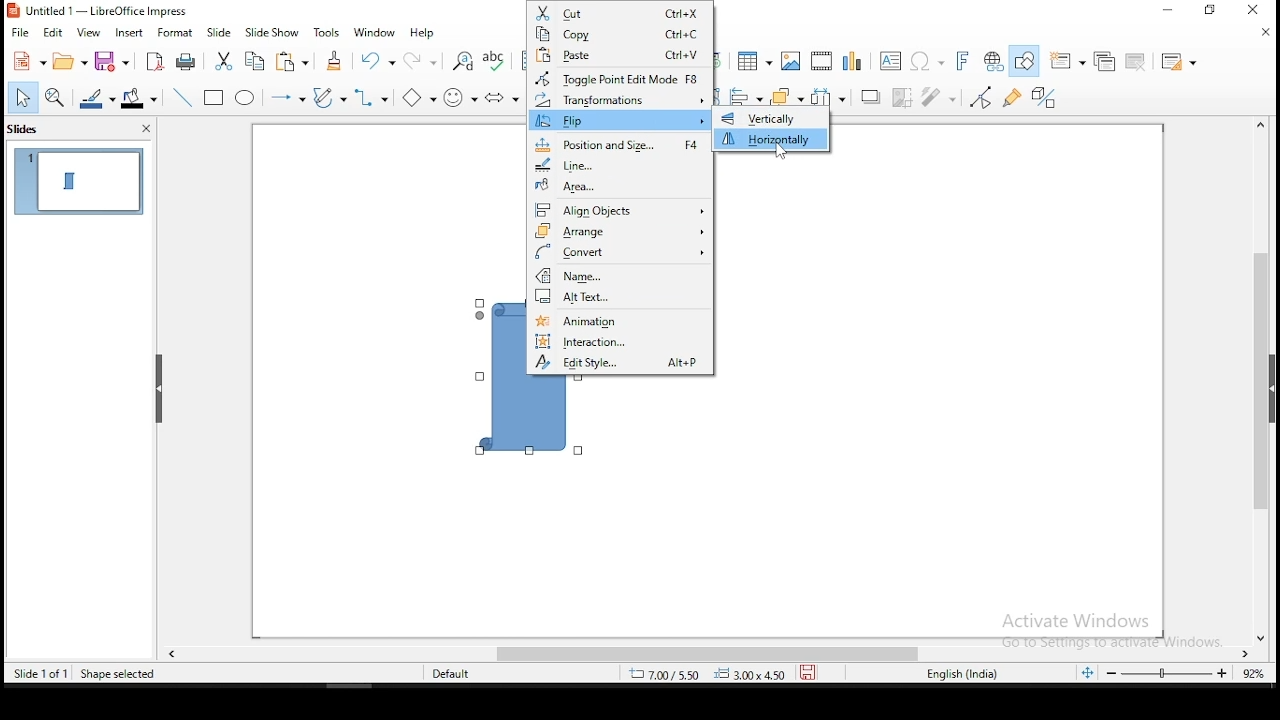  Describe the element at coordinates (1181, 62) in the screenshot. I see `slide layout` at that location.